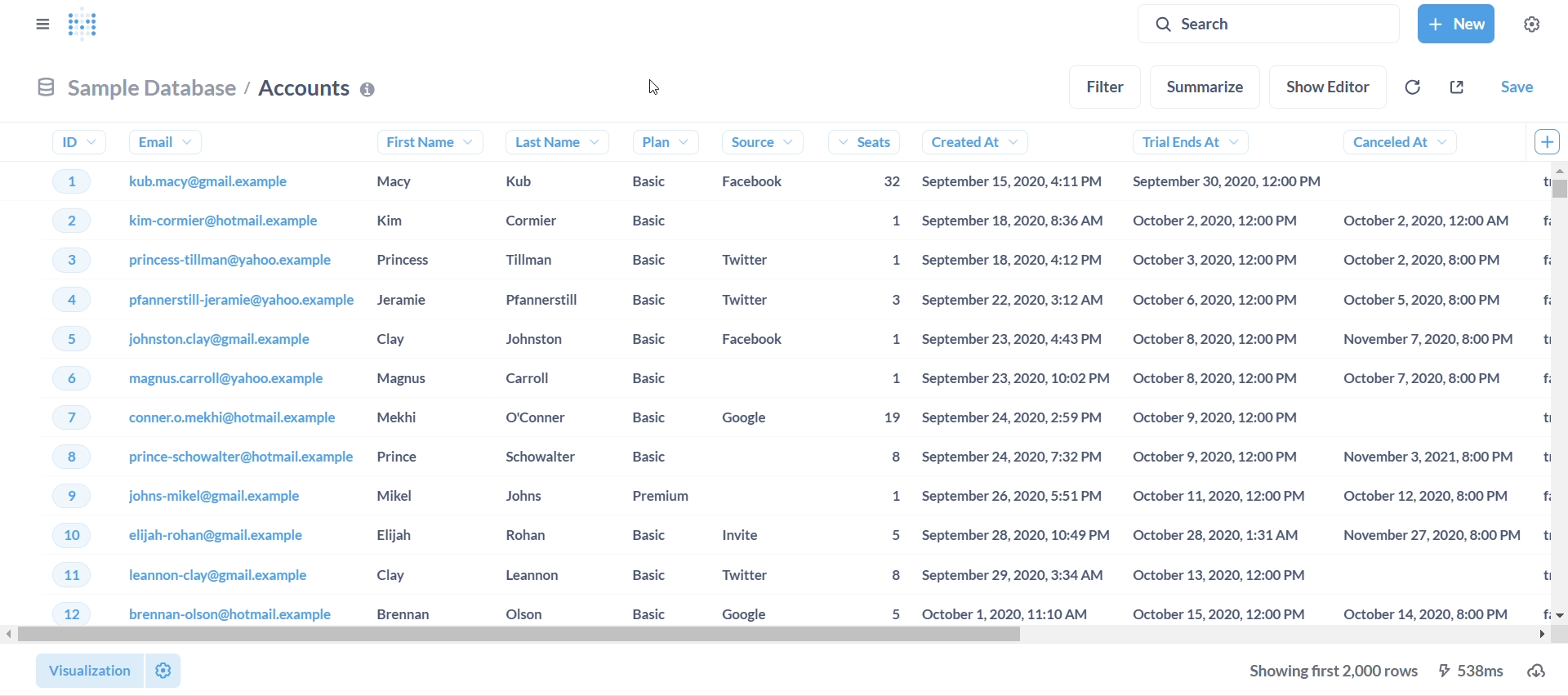 This screenshot has height=696, width=1568. Describe the element at coordinates (1536, 669) in the screenshot. I see `download` at that location.